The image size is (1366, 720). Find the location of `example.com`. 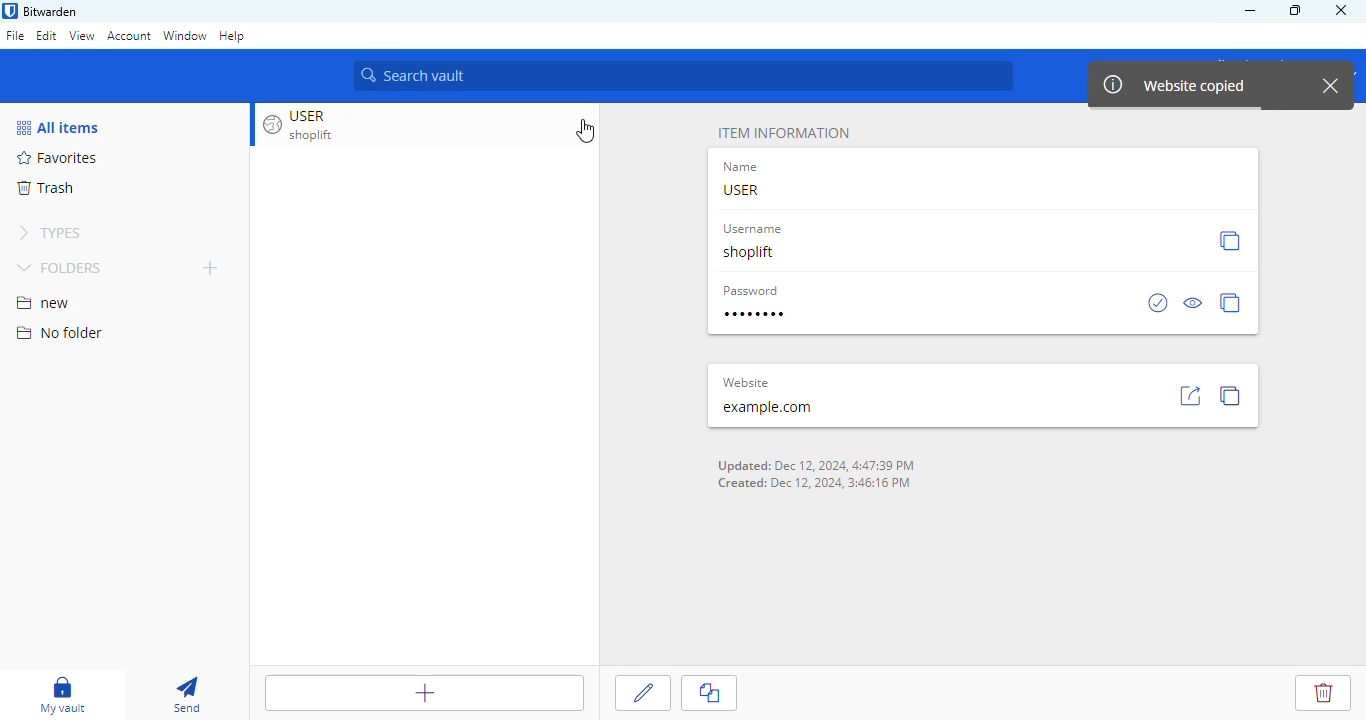

example.com is located at coordinates (768, 407).